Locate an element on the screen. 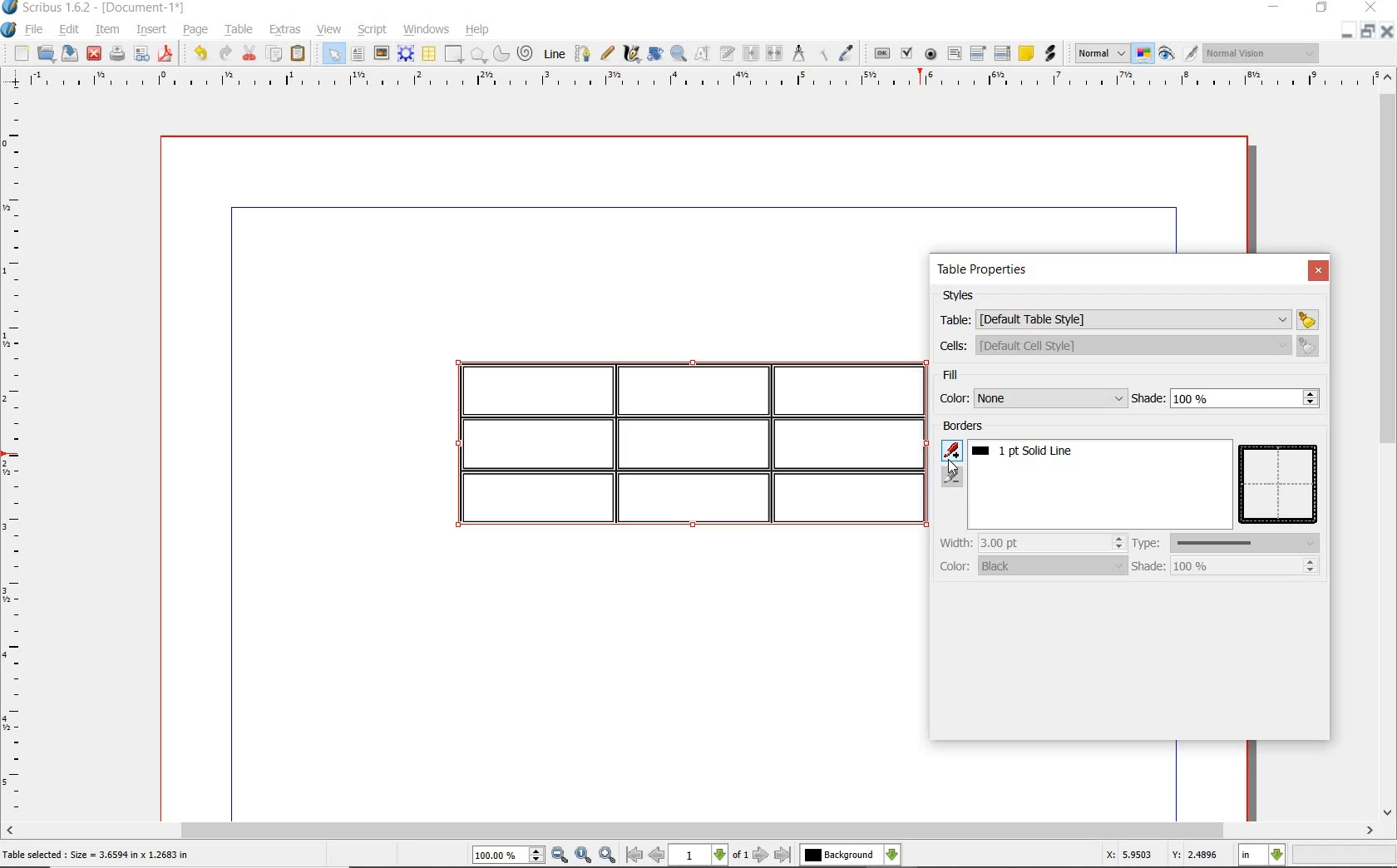  preview mode is located at coordinates (1165, 54).